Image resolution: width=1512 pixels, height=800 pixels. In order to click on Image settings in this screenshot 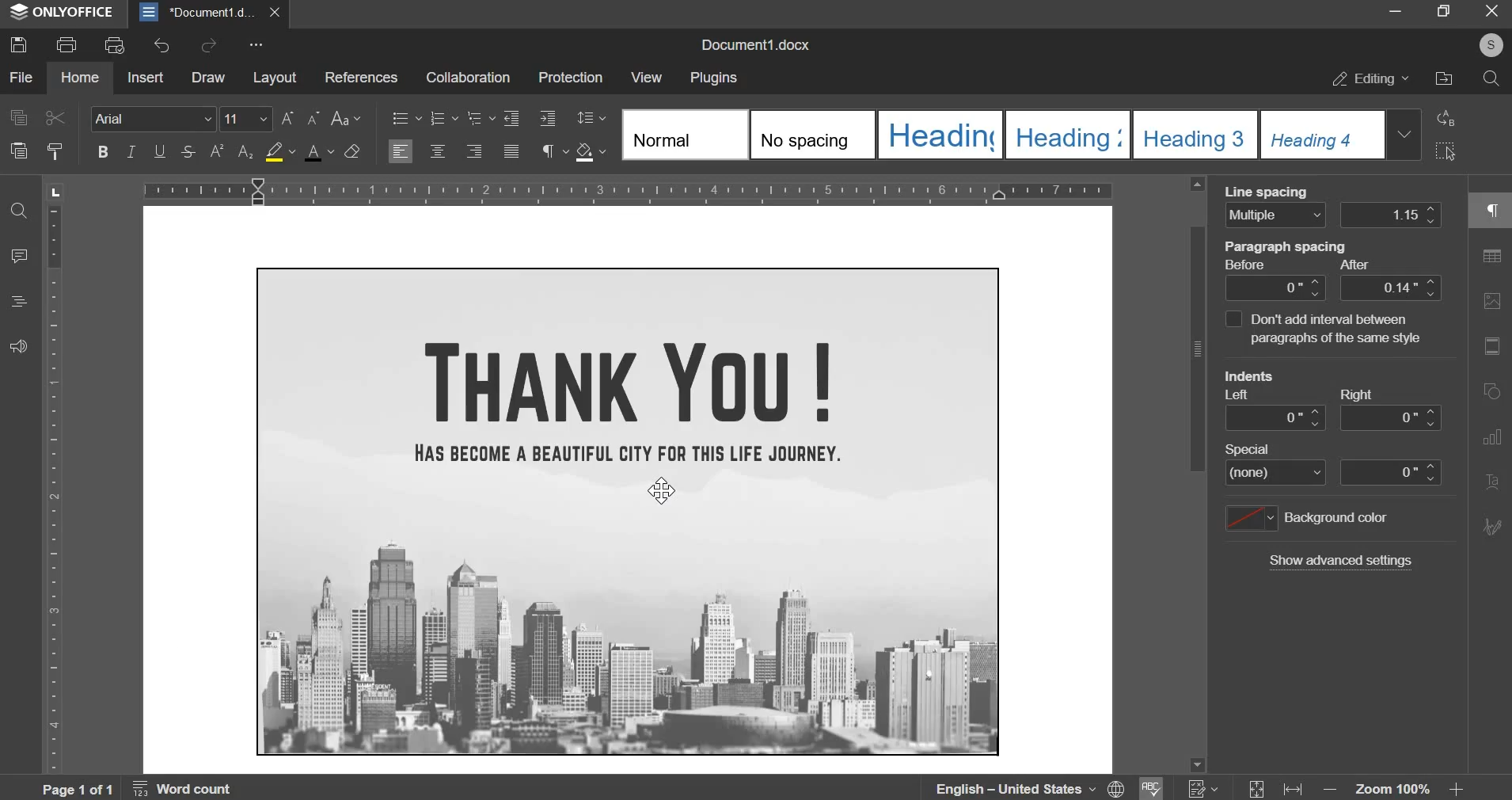, I will do `click(1494, 300)`.